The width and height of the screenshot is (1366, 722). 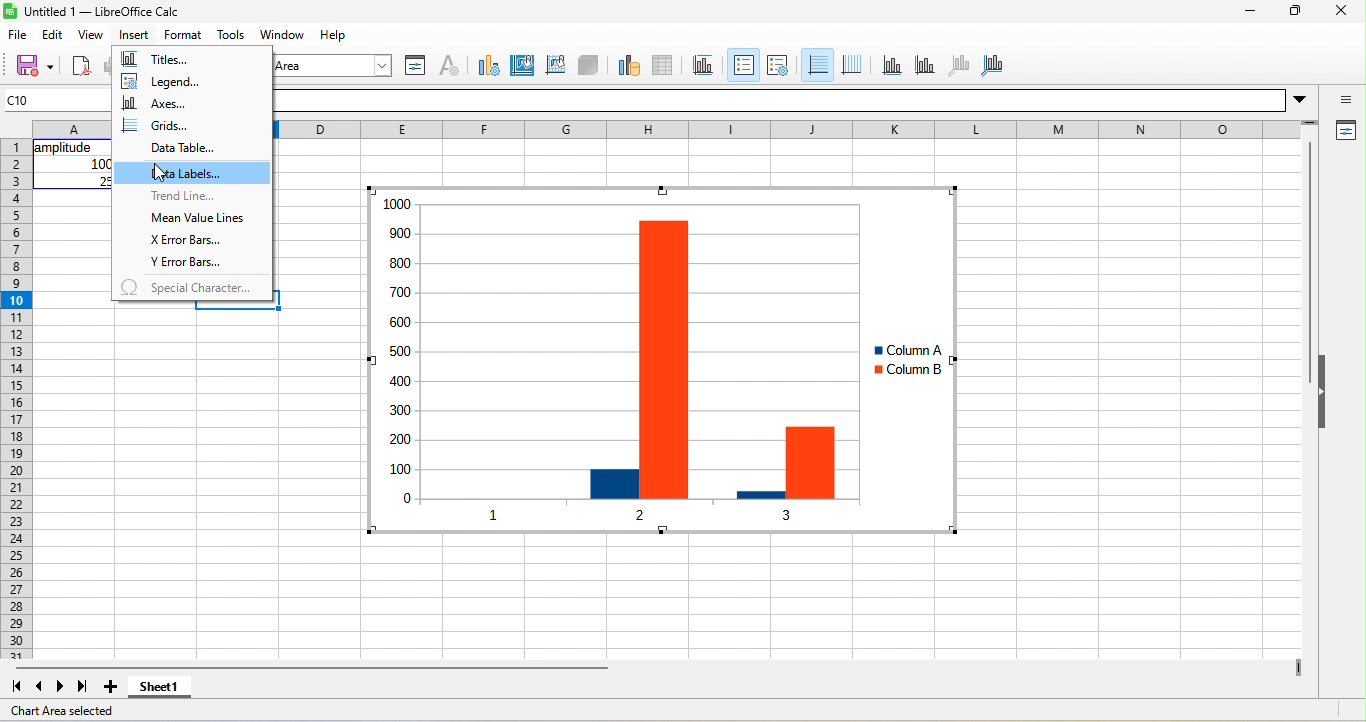 What do you see at coordinates (134, 35) in the screenshot?
I see `insert` at bounding box center [134, 35].